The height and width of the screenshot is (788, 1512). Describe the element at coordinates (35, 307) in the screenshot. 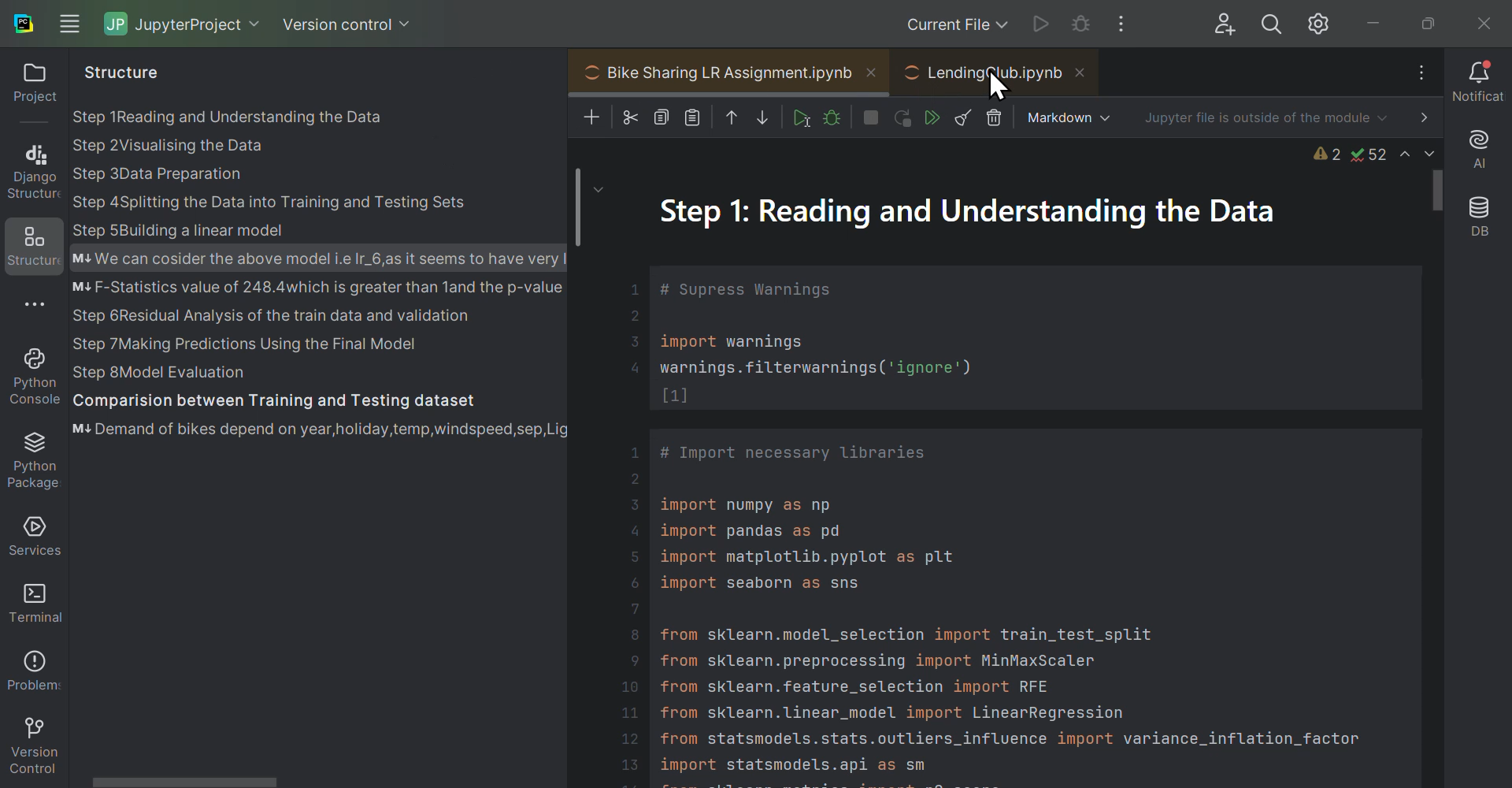

I see `More options` at that location.